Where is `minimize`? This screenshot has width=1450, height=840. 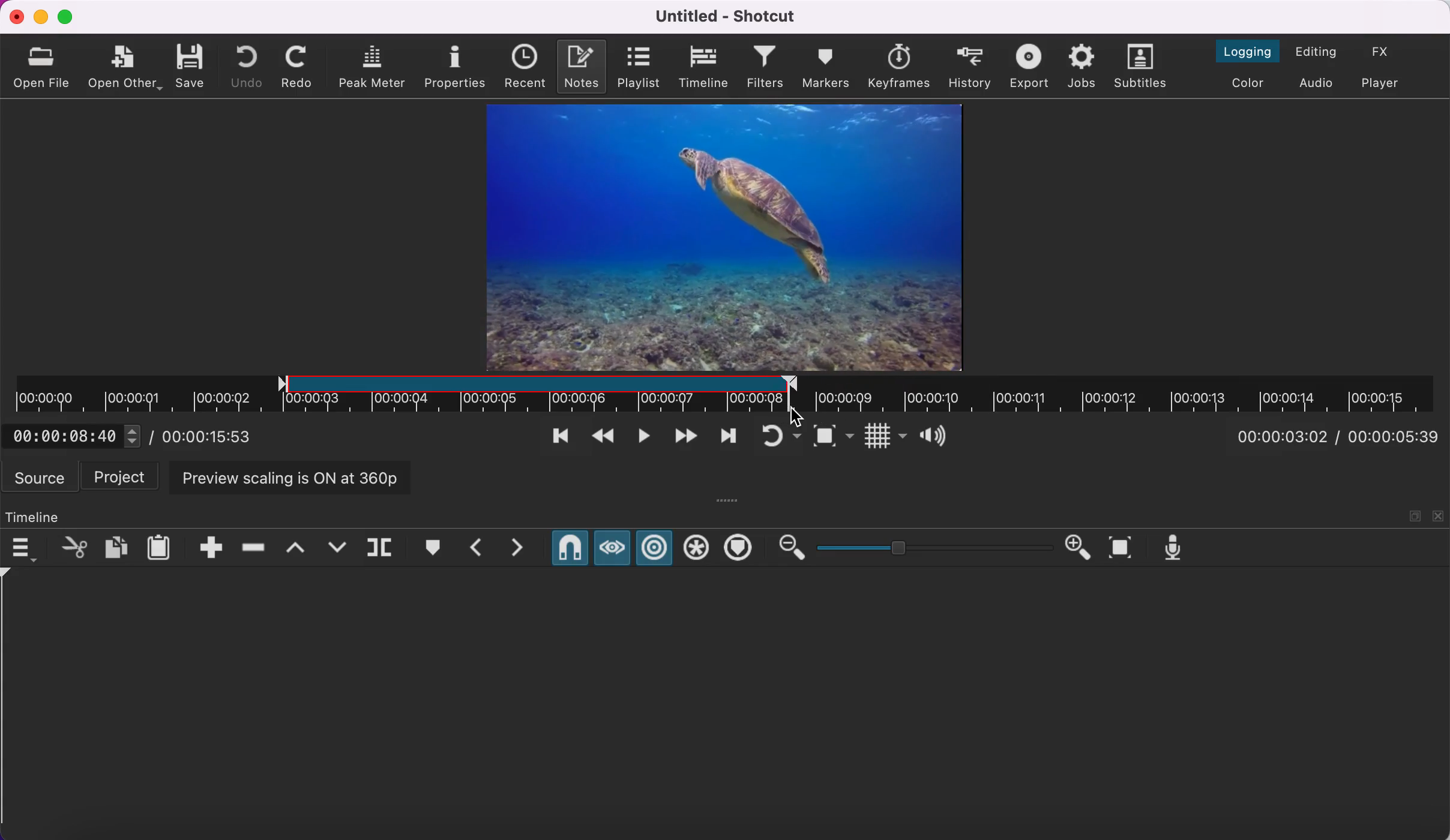 minimize is located at coordinates (41, 17).